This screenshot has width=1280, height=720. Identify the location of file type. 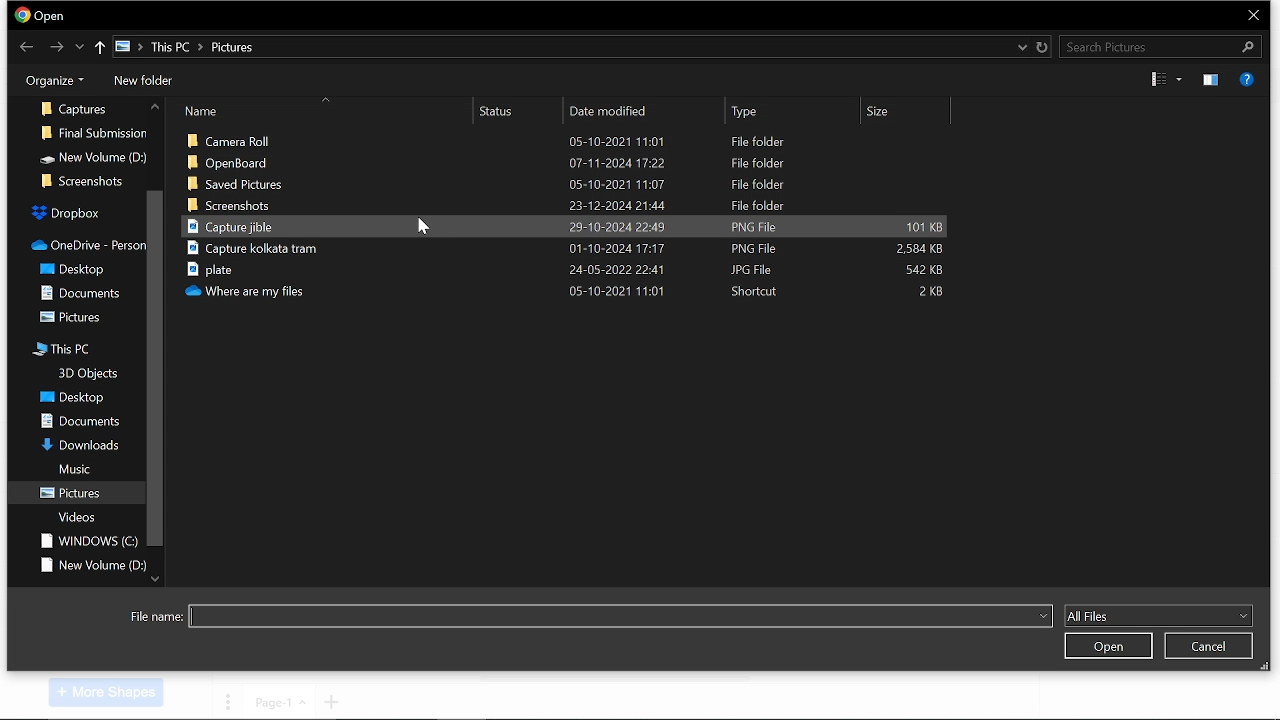
(1158, 616).